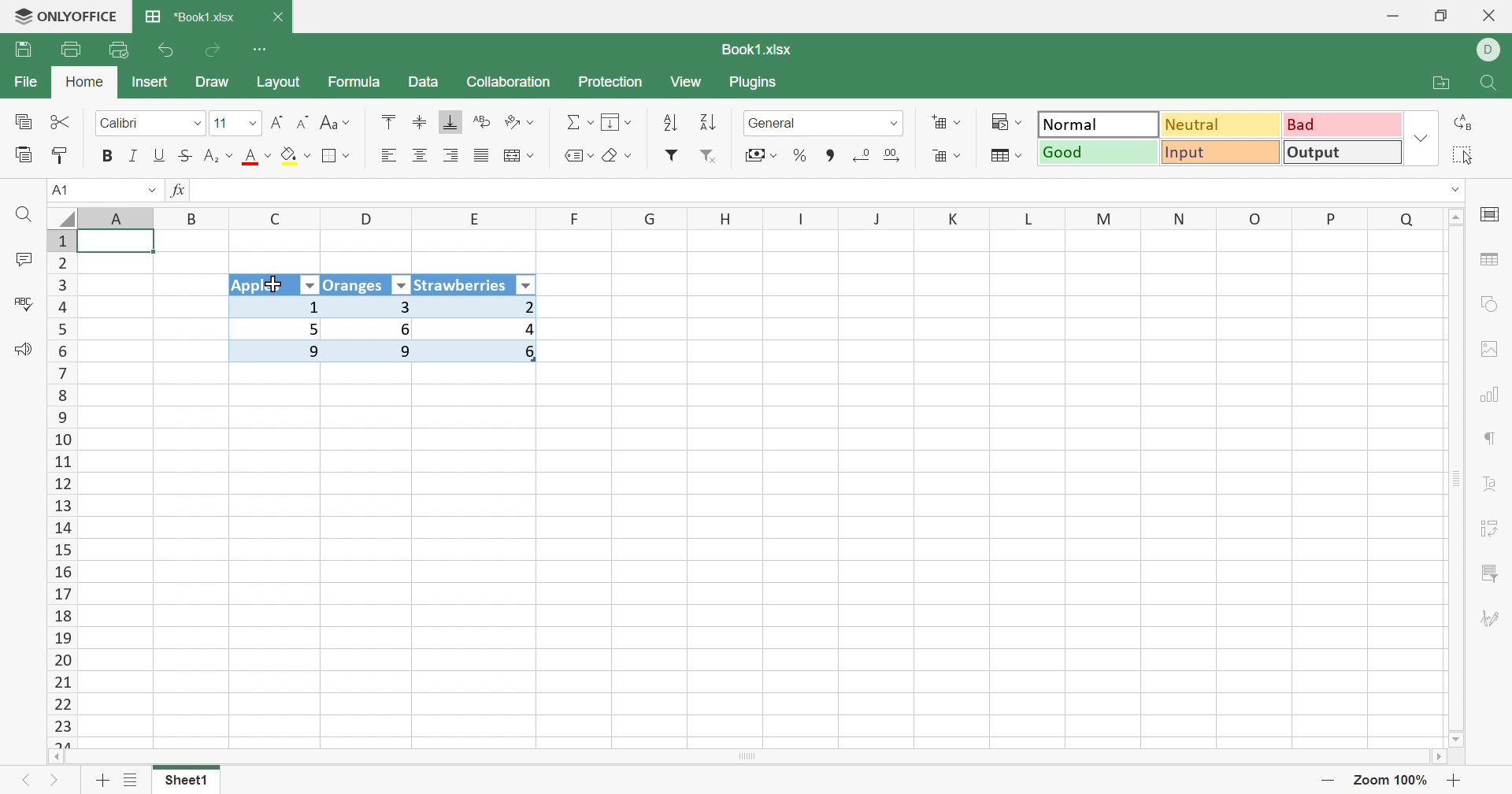 The image size is (1512, 794). Describe the element at coordinates (1495, 394) in the screenshot. I see `Chart settings` at that location.